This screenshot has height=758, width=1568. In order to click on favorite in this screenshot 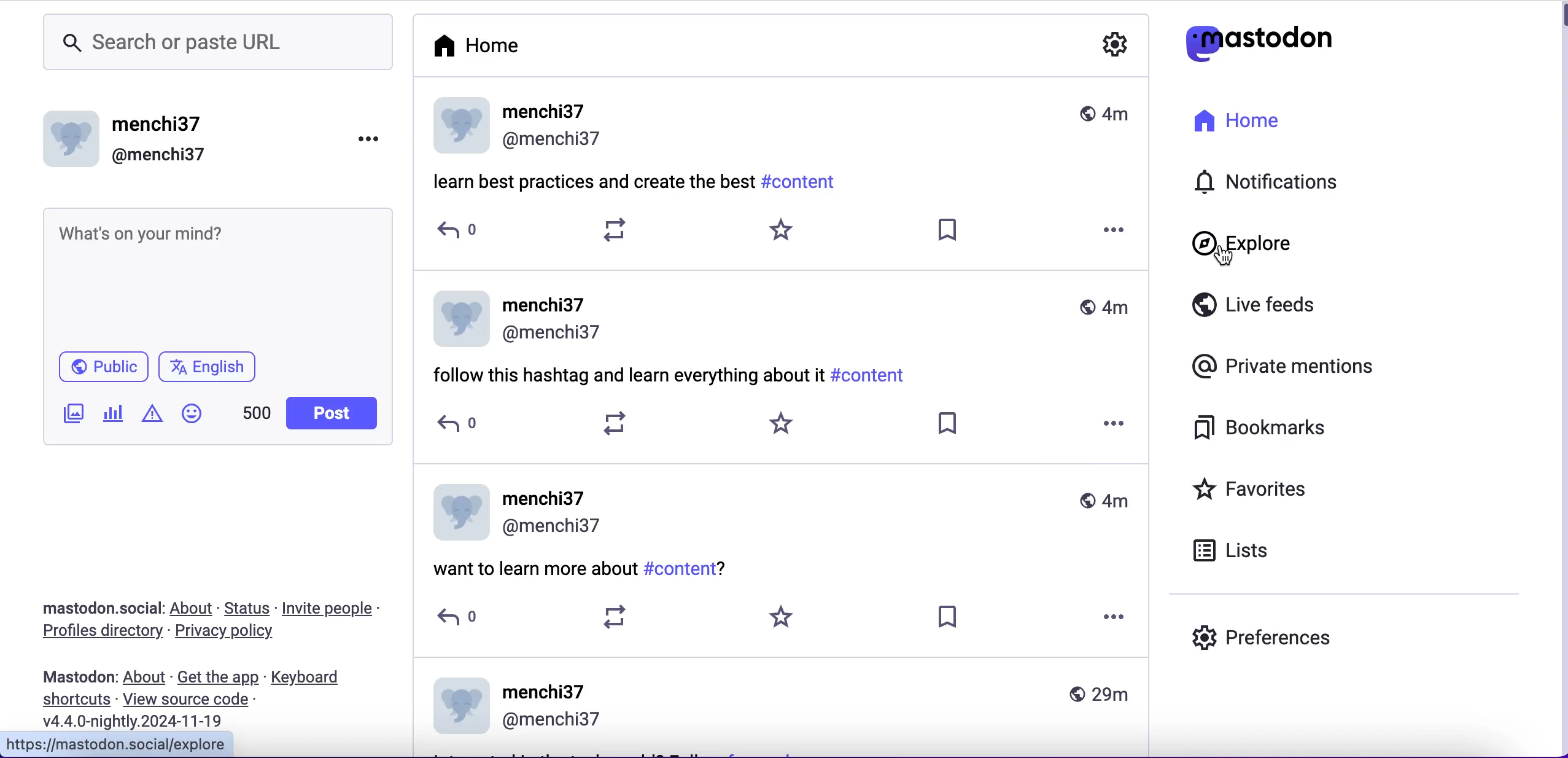, I will do `click(782, 423)`.